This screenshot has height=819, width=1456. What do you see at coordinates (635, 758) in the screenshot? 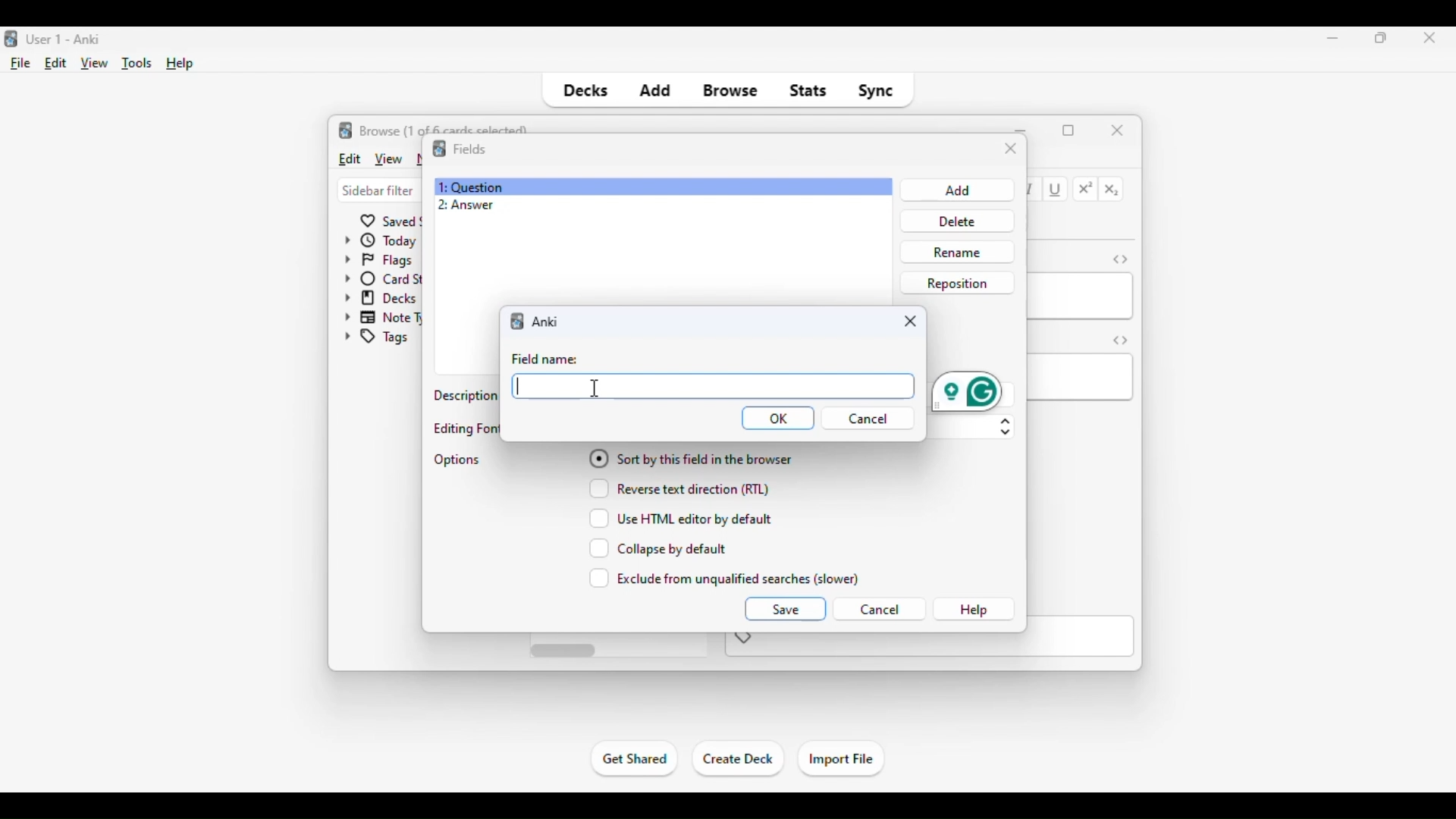
I see `get shared` at bounding box center [635, 758].